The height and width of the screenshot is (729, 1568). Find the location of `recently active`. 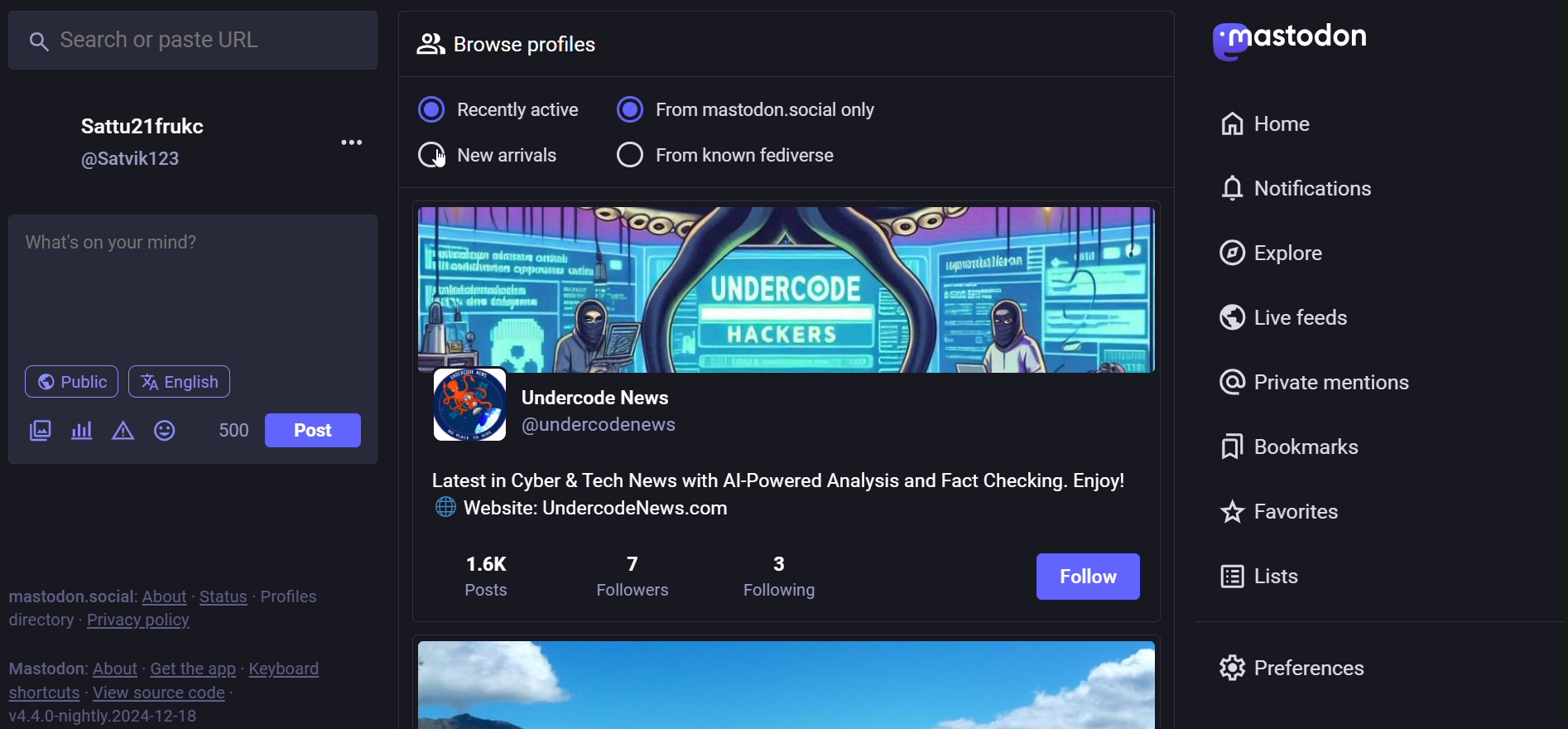

recently active is located at coordinates (506, 107).